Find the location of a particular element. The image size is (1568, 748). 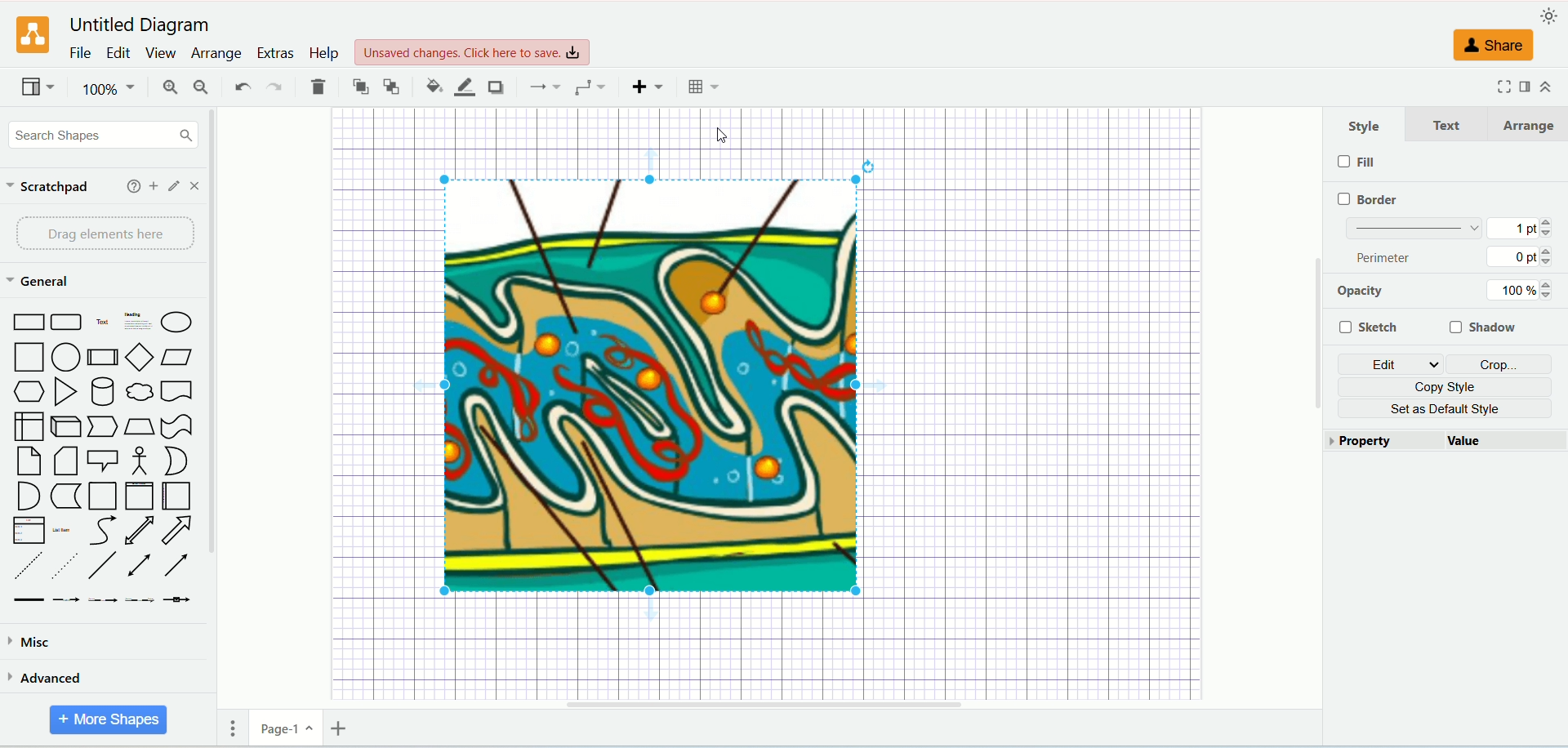

sketch is located at coordinates (1368, 325).